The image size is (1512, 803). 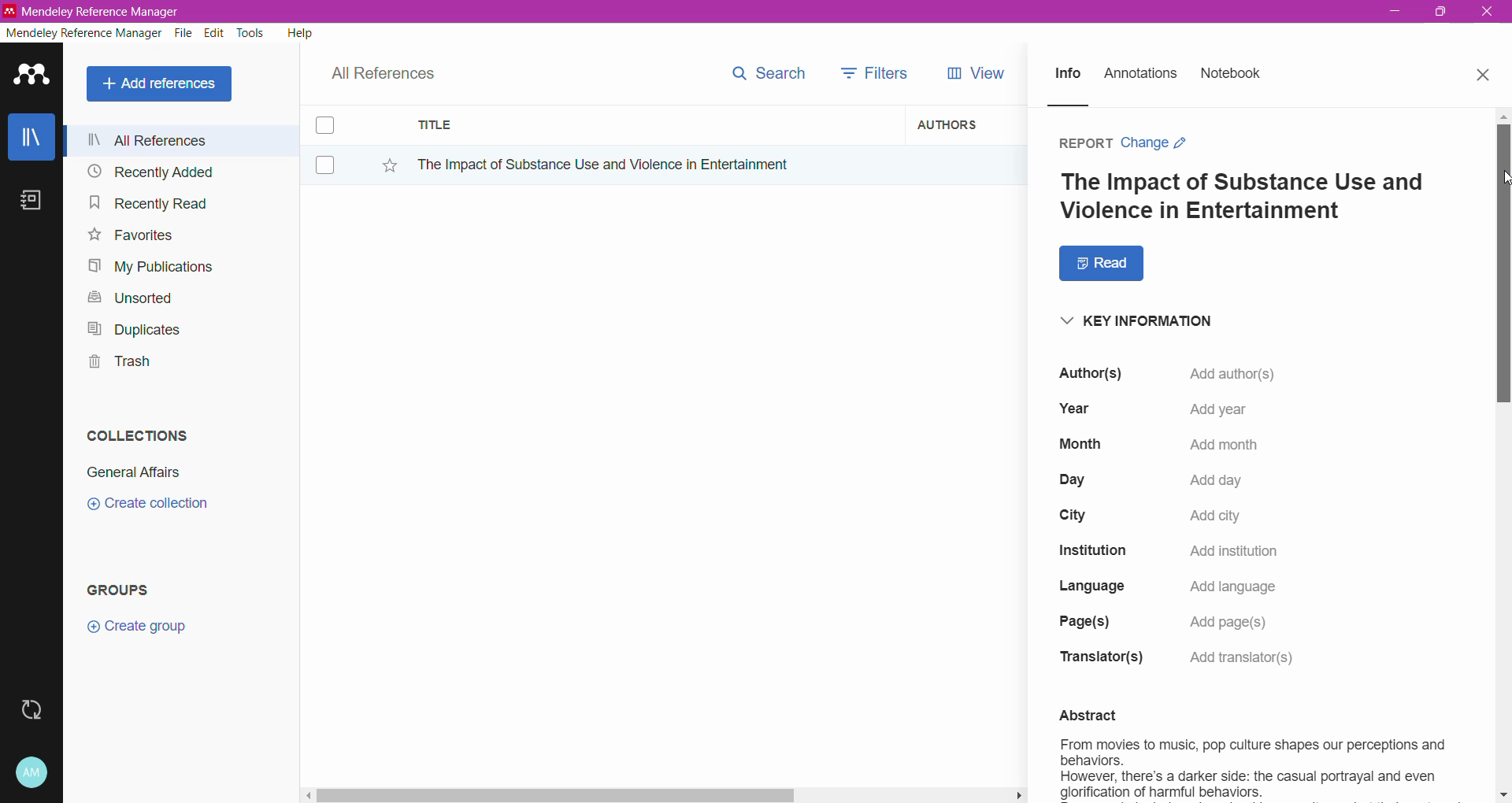 I want to click on cursor, so click(x=1503, y=178).